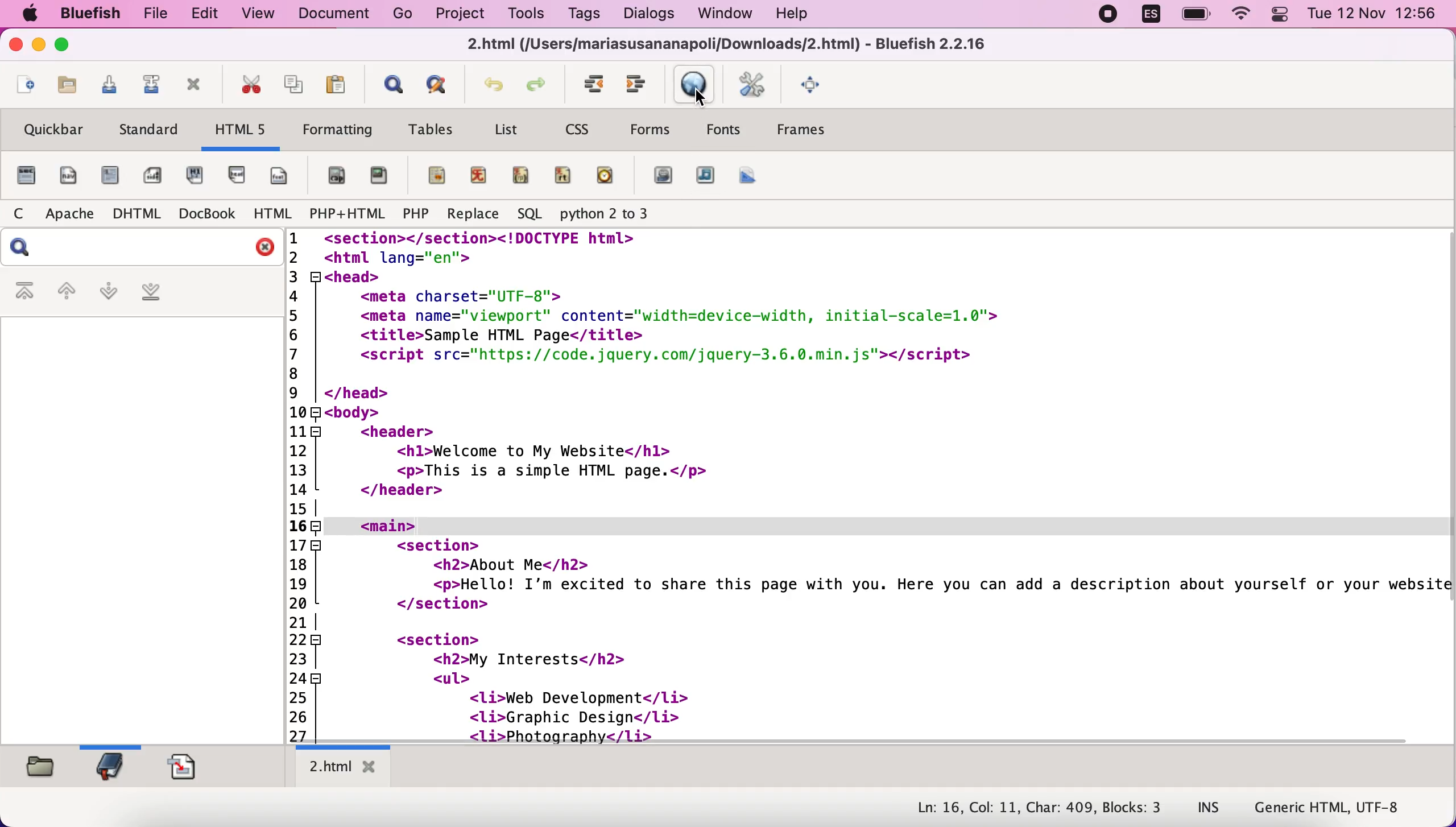 Image resolution: width=1456 pixels, height=827 pixels. I want to click on 2.html (/Users/mariasusananapoli/Downloads/2.html) - Bluefish 2.2.16, so click(725, 45).